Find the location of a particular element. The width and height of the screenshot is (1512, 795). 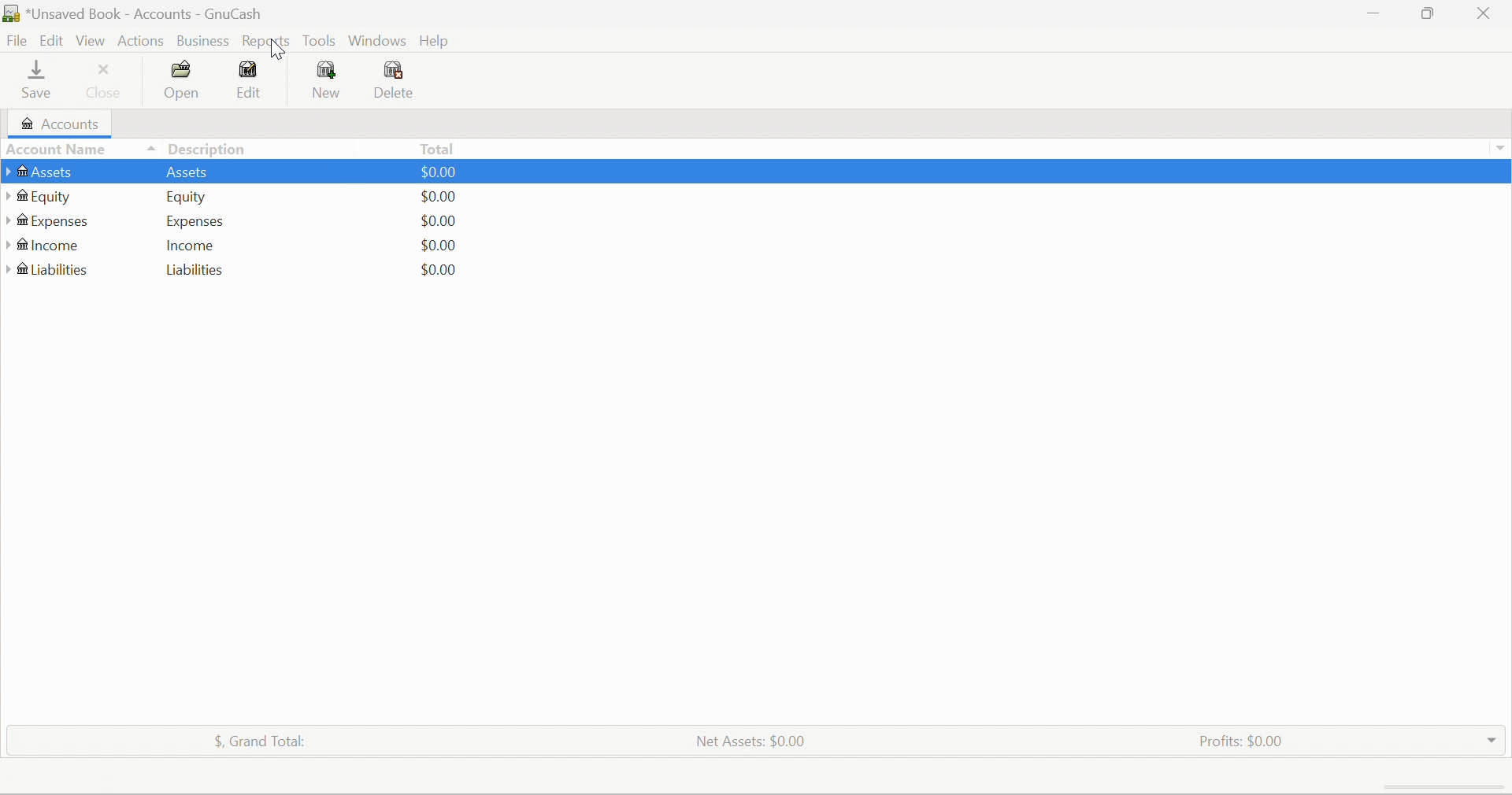

$0.00 is located at coordinates (437, 198).